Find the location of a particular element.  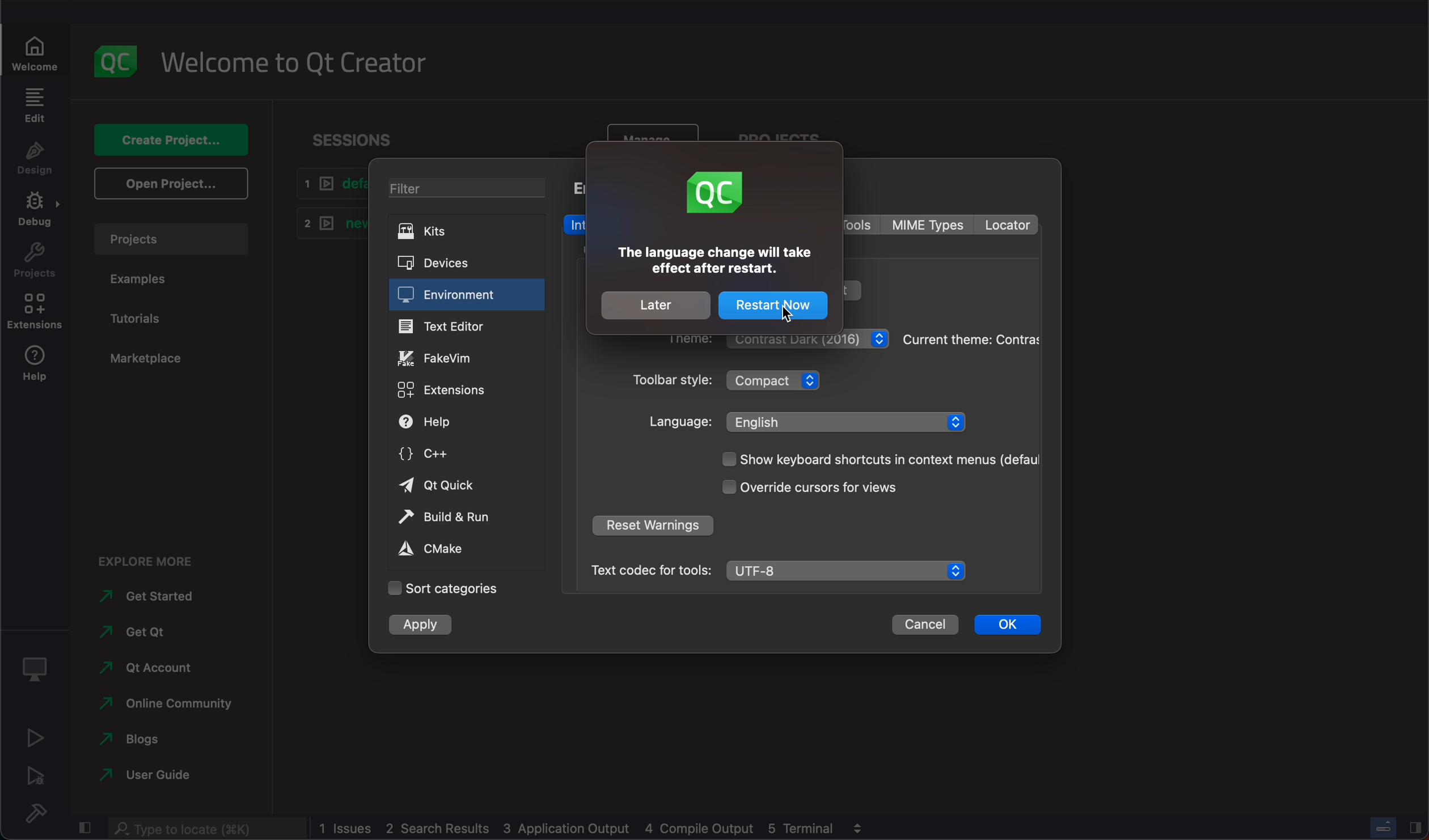

close slidebar is located at coordinates (84, 826).